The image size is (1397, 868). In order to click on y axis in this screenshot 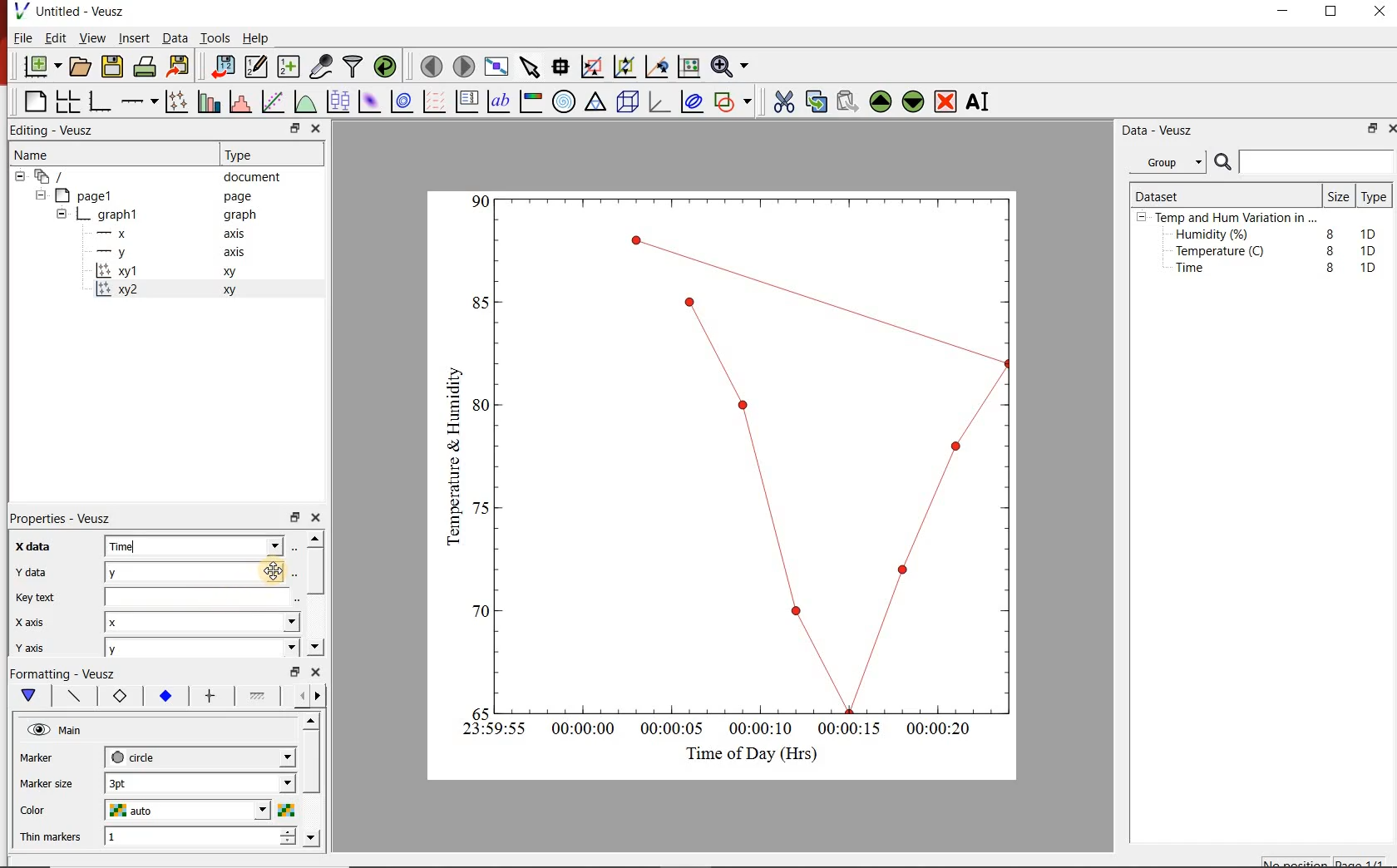, I will do `click(42, 645)`.